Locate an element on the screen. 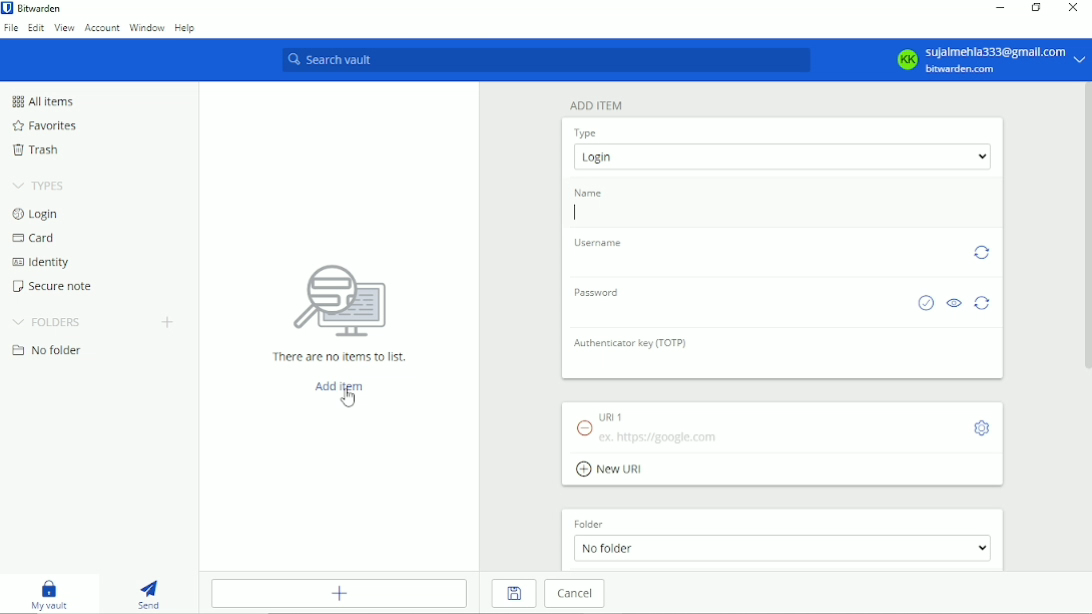 The image size is (1092, 614). Window is located at coordinates (146, 28).